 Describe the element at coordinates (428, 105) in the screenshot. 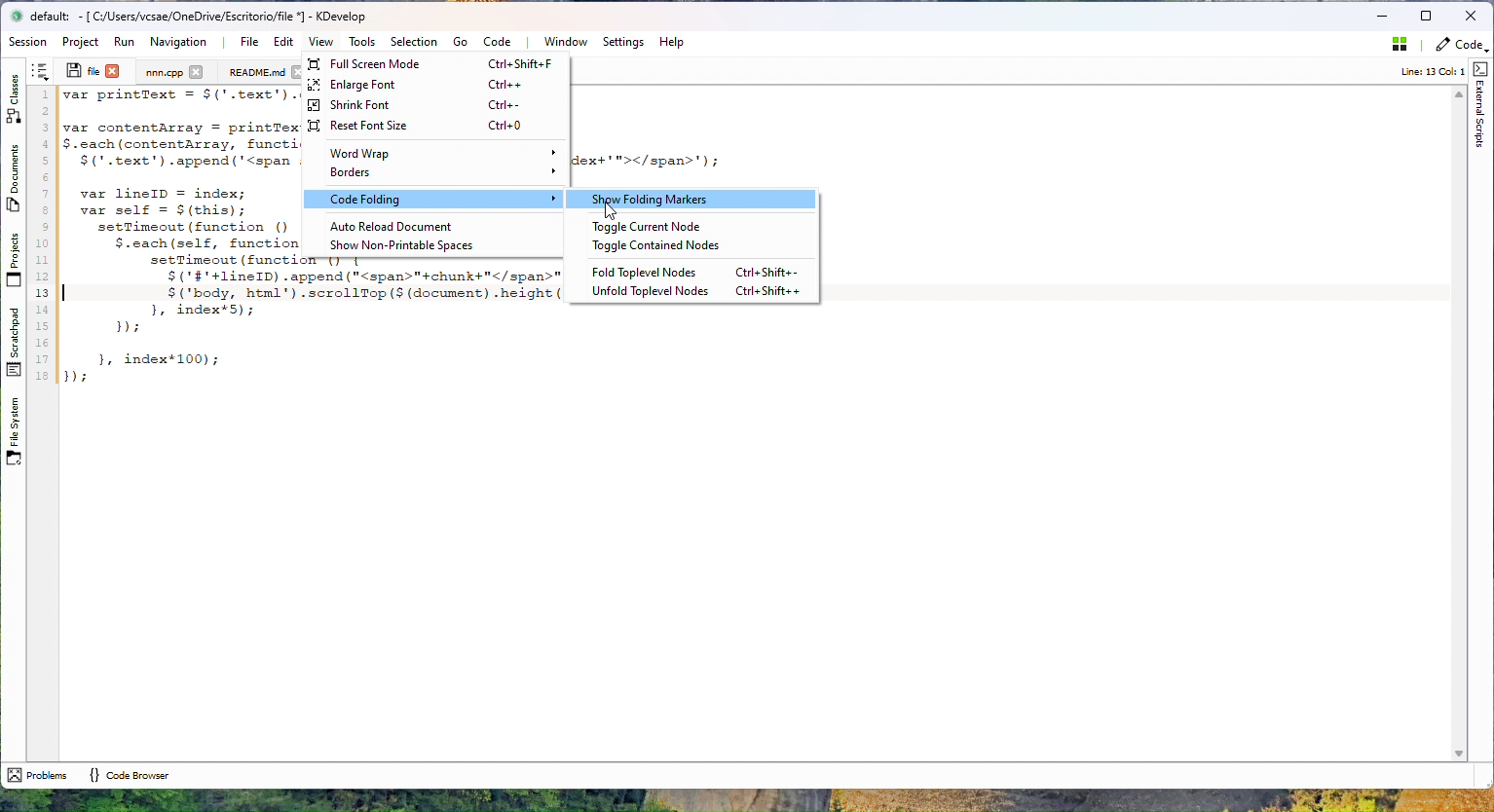

I see `Shrink Font` at that location.